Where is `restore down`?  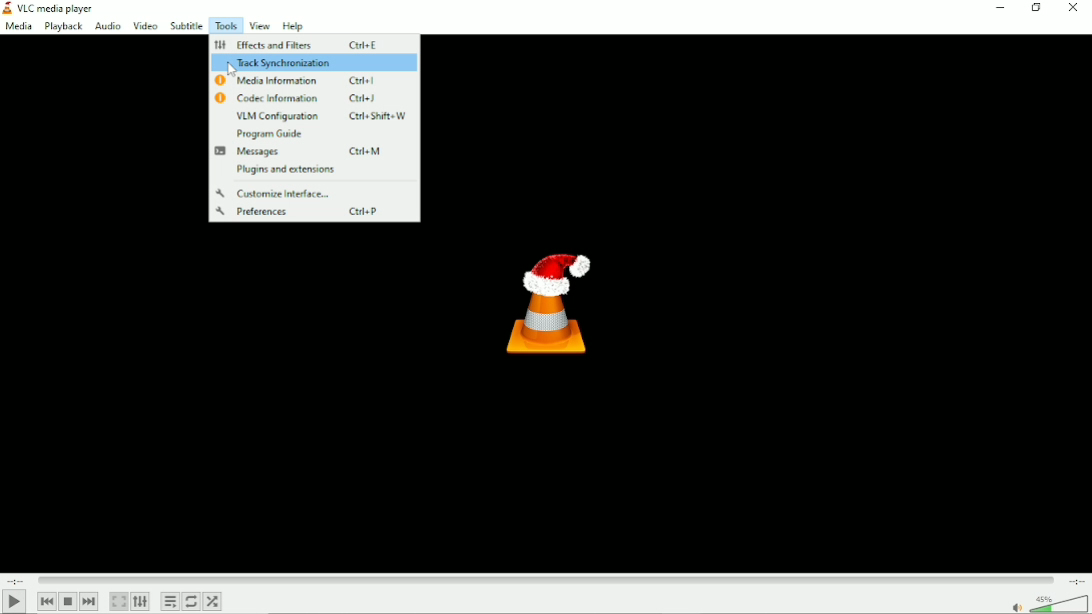 restore down is located at coordinates (1036, 9).